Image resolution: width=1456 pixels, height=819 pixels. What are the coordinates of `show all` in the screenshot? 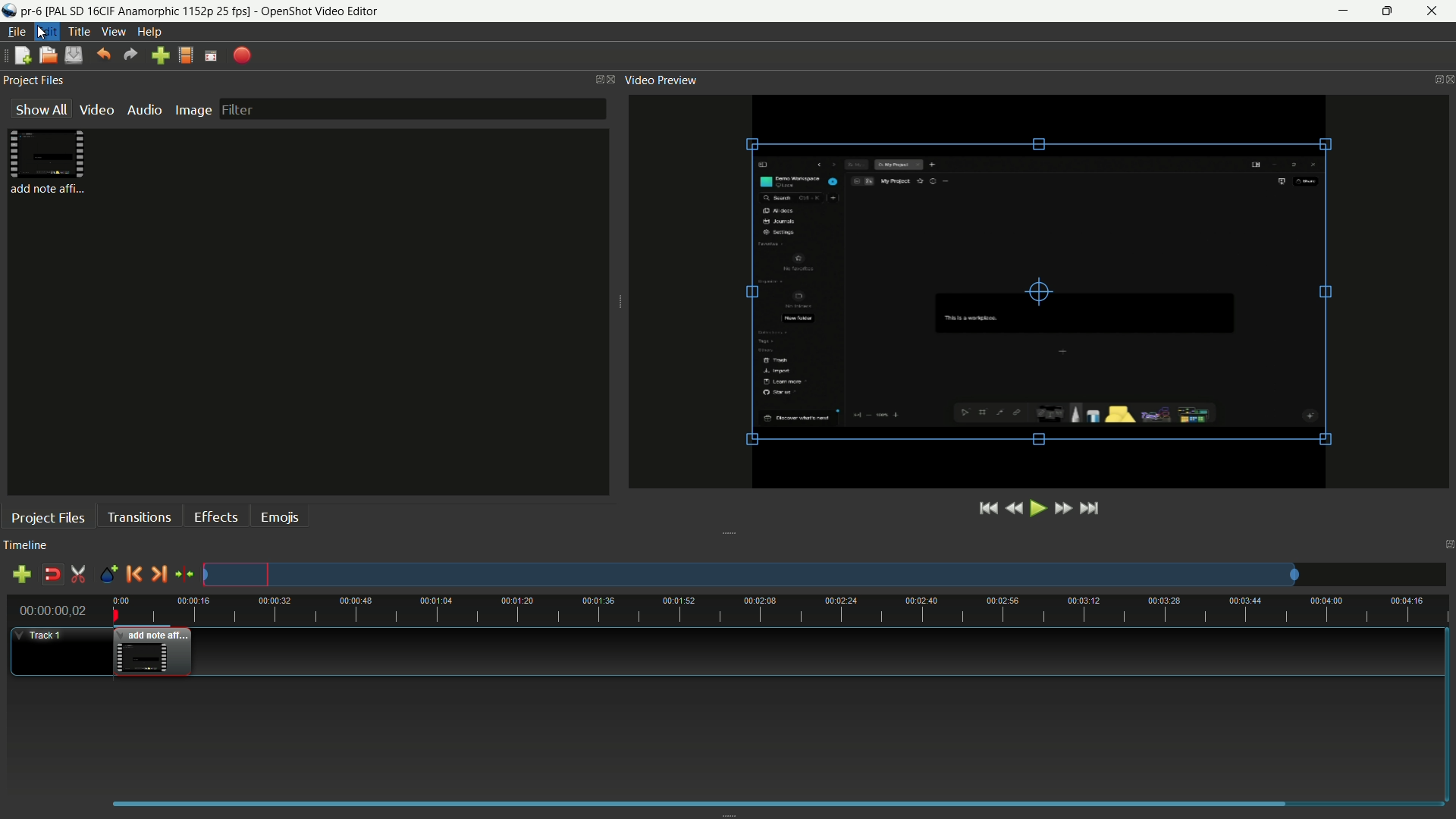 It's located at (39, 108).